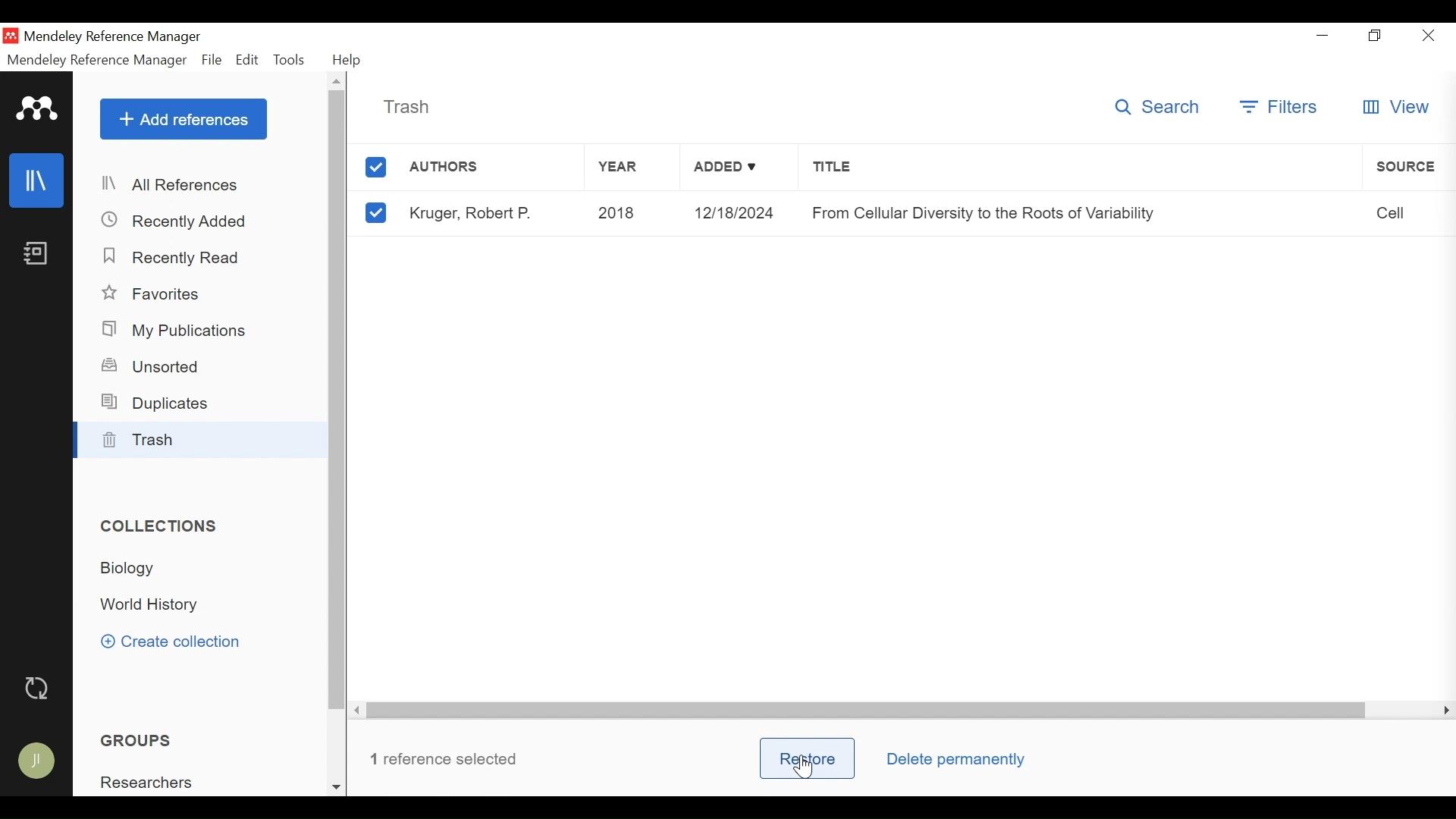 The image size is (1456, 819). I want to click on Collection, so click(137, 568).